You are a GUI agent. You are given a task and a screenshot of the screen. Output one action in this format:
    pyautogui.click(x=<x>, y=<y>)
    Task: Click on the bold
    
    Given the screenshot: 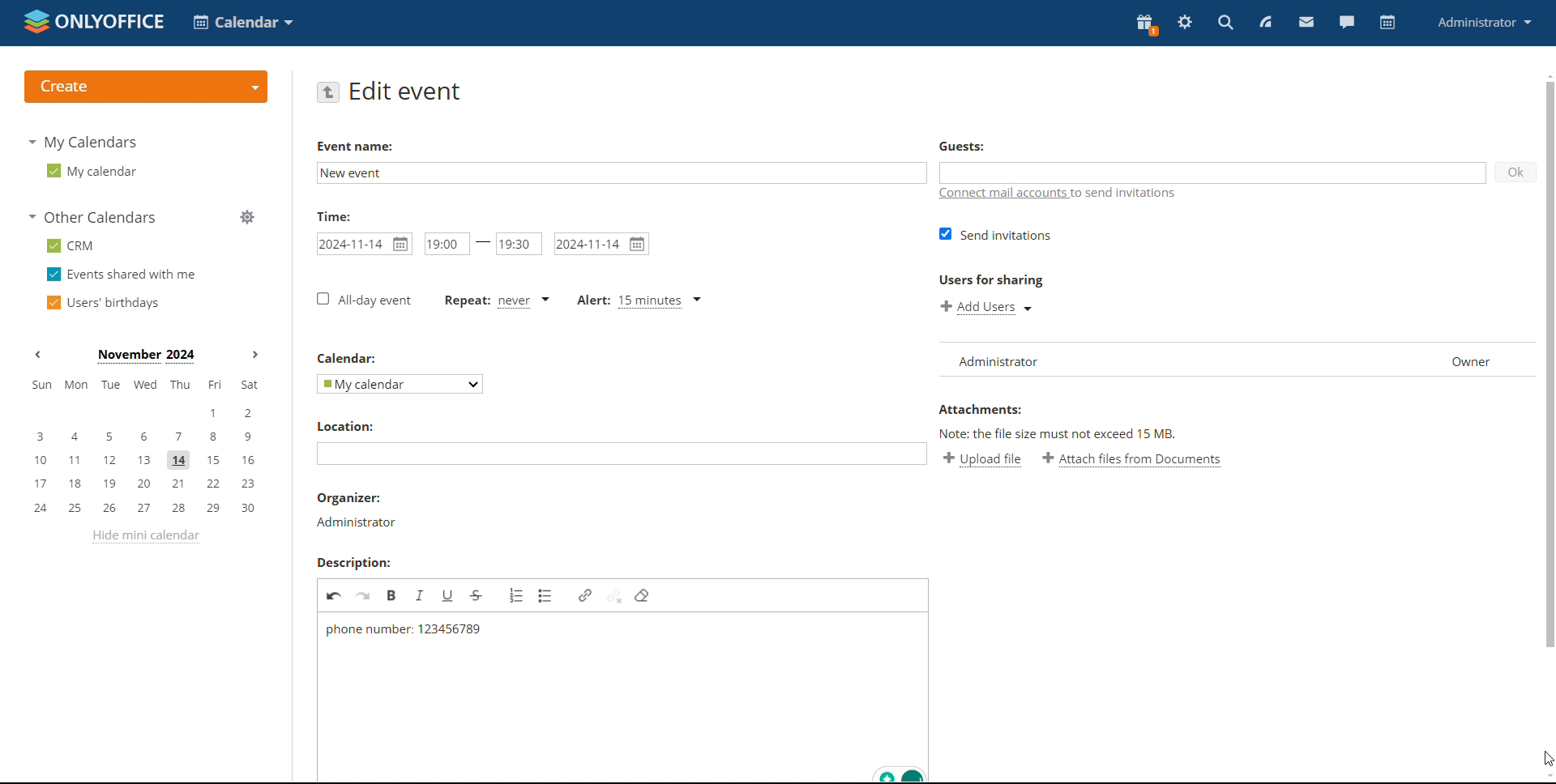 What is the action you would take?
    pyautogui.click(x=392, y=594)
    